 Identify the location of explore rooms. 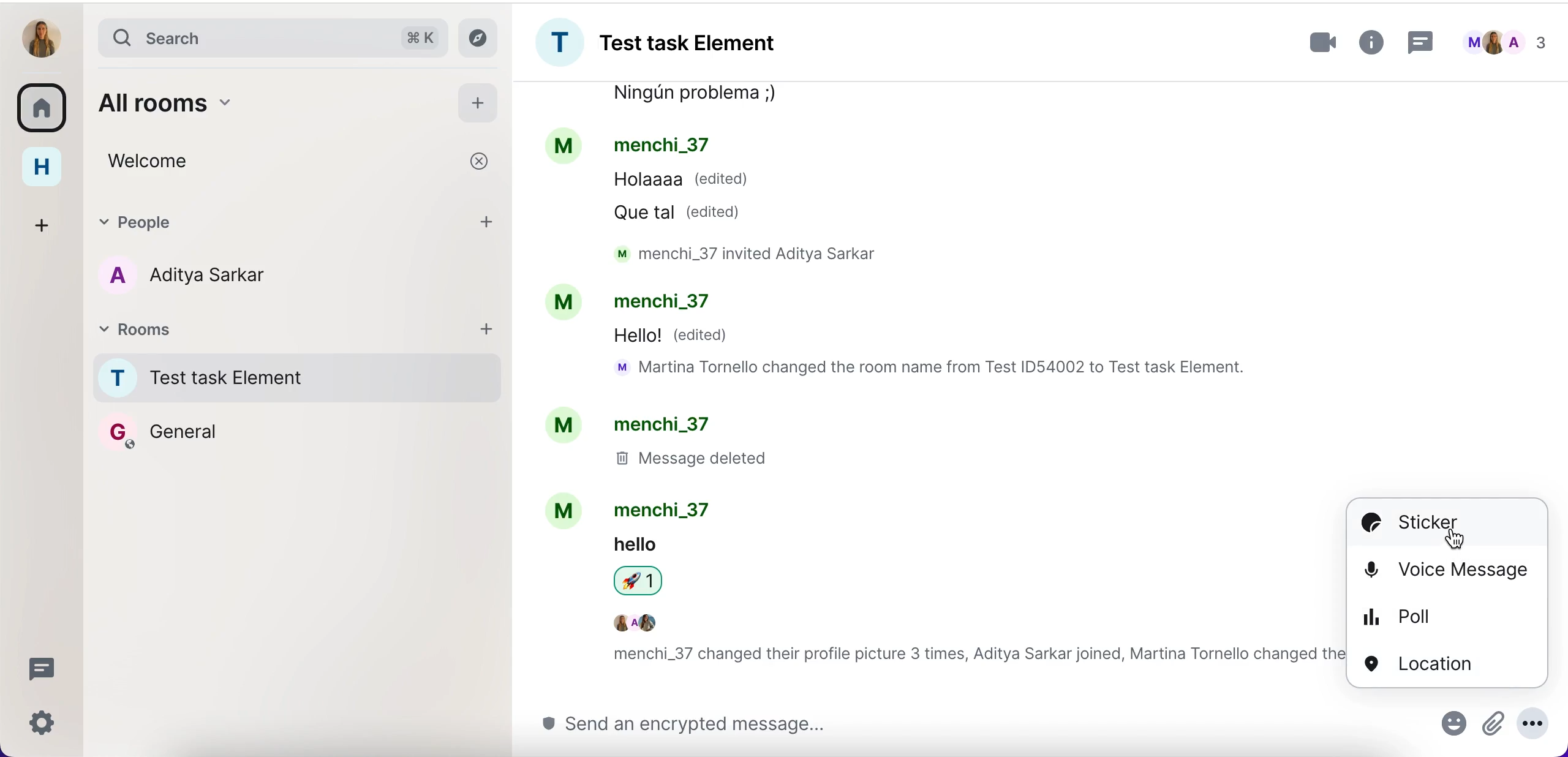
(482, 36).